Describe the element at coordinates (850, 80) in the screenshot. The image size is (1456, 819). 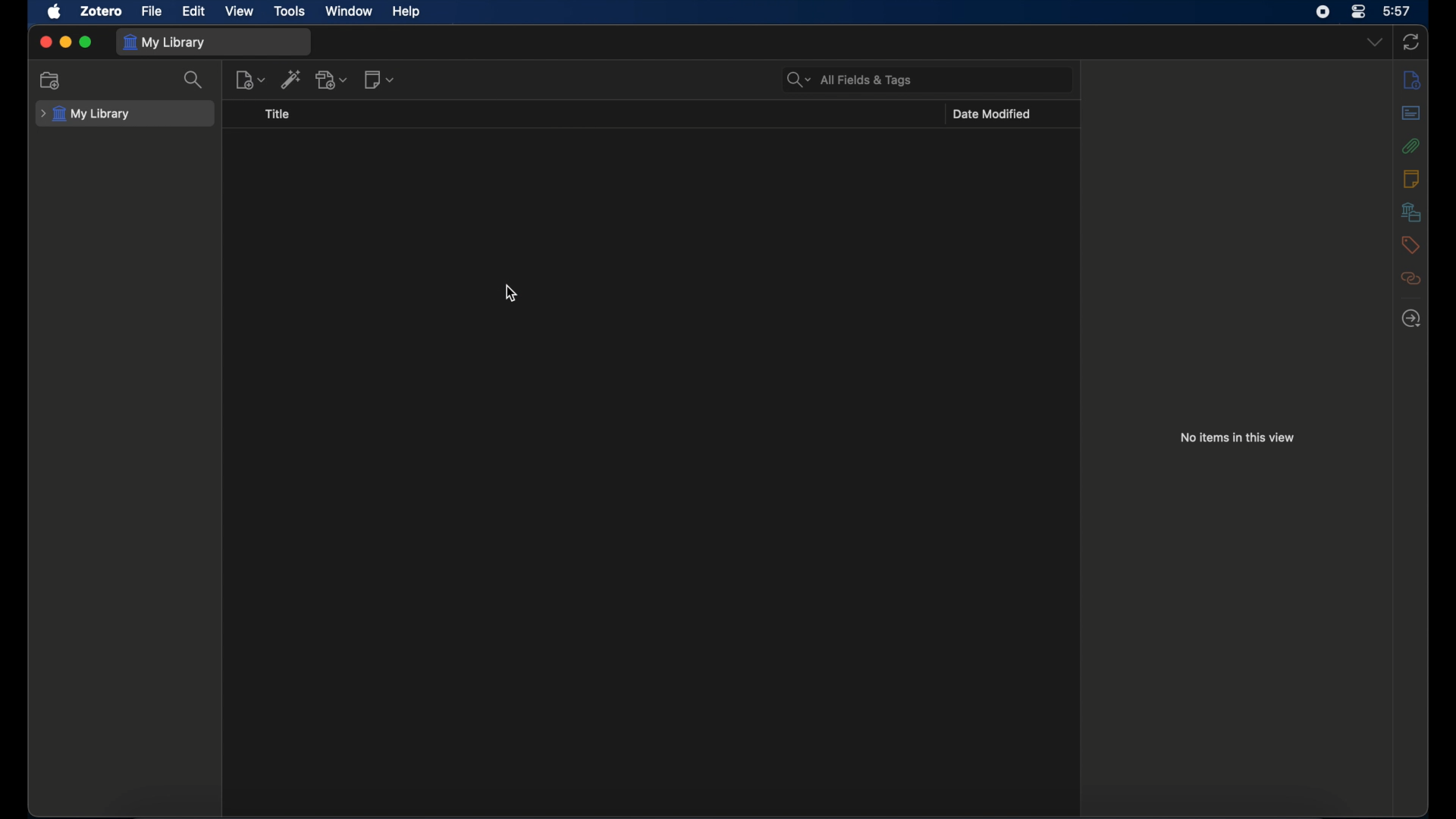
I see `search bar` at that location.